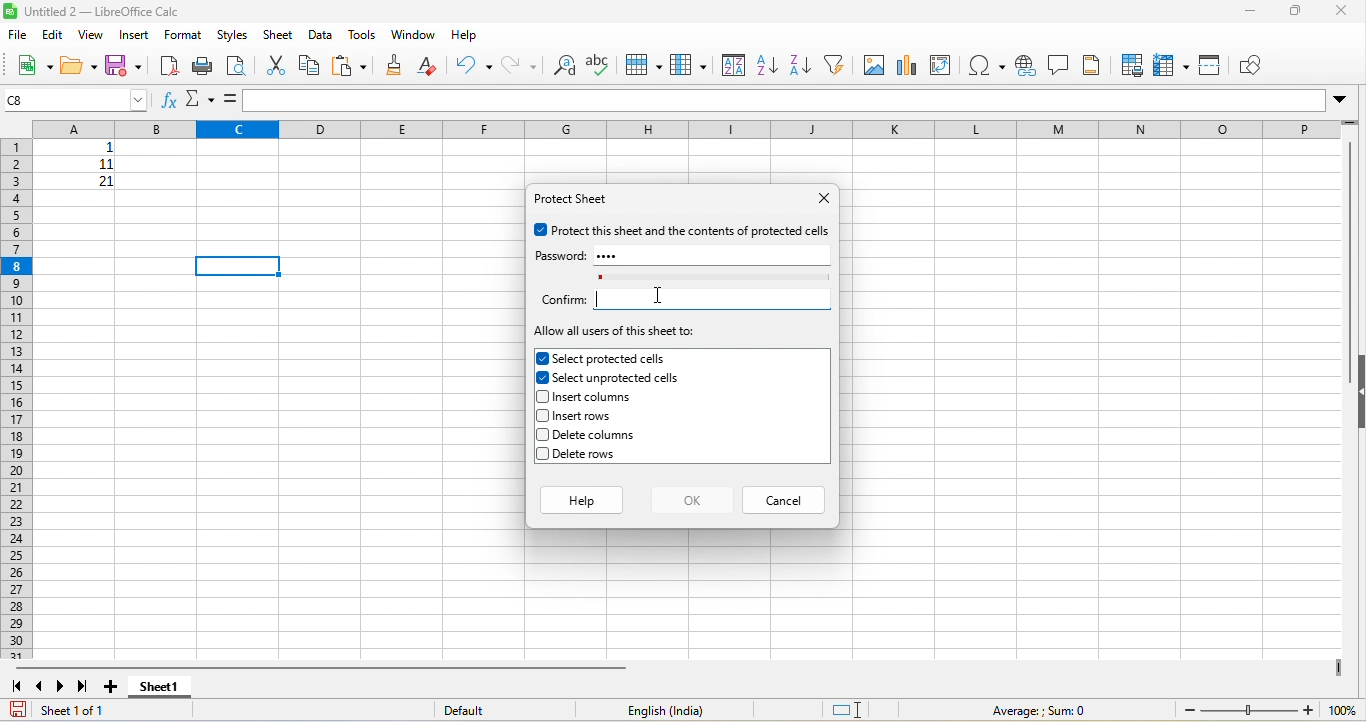  Describe the element at coordinates (33, 68) in the screenshot. I see `new` at that location.